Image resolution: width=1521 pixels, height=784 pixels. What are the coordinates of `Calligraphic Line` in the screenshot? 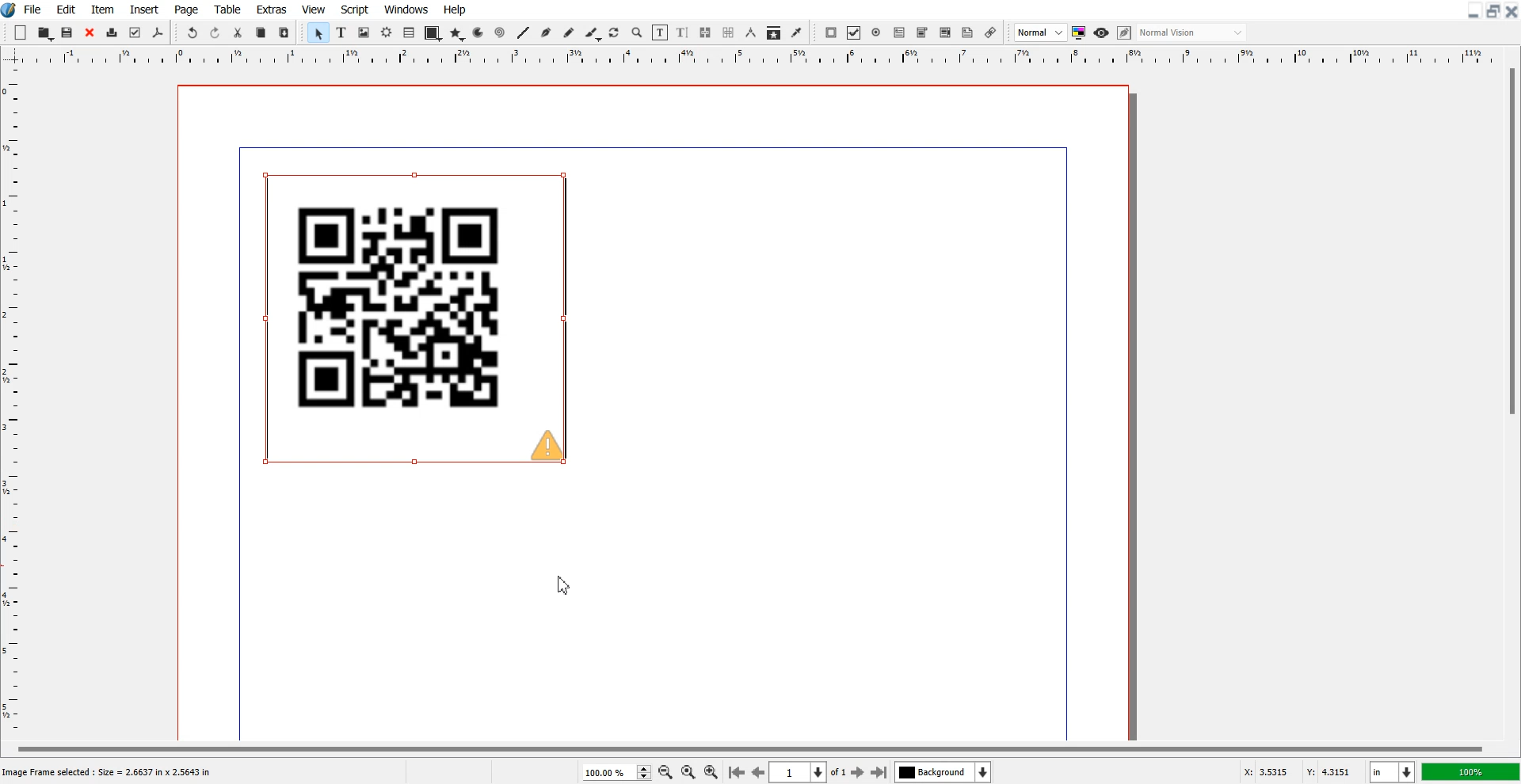 It's located at (592, 33).